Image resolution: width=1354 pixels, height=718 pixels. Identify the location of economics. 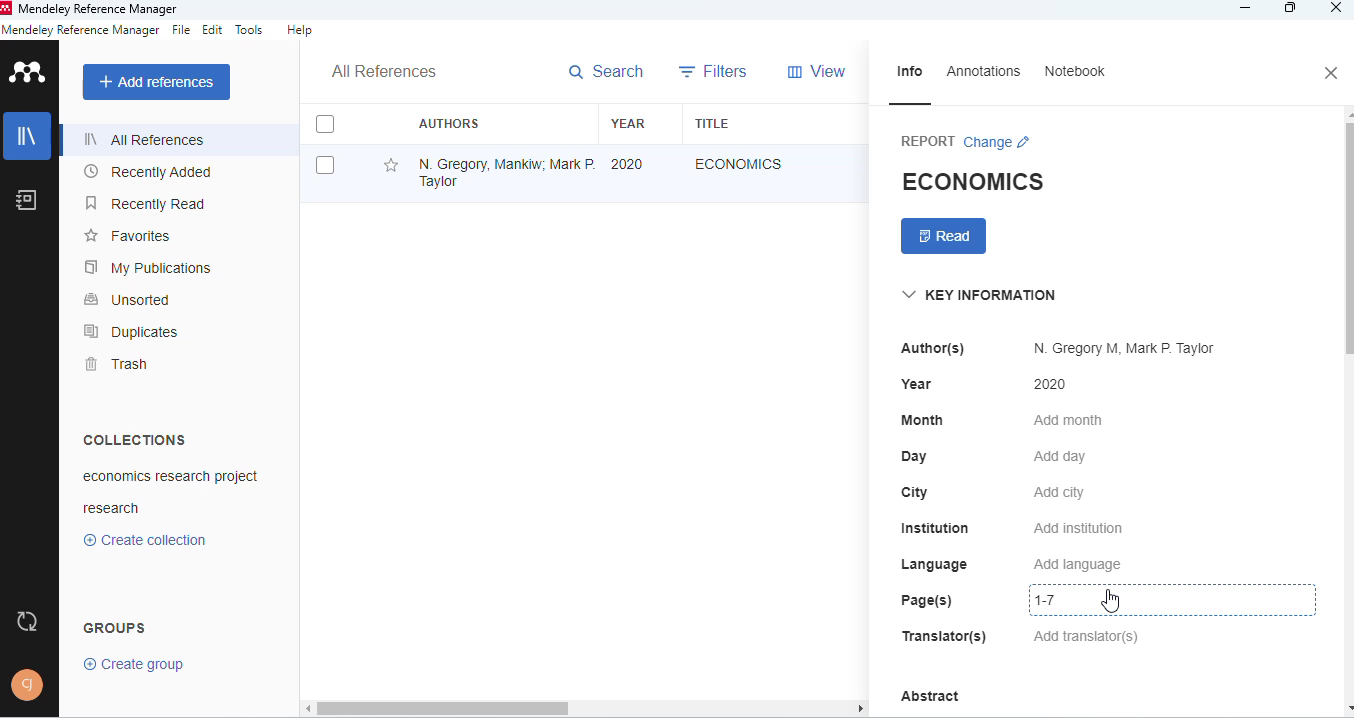
(972, 181).